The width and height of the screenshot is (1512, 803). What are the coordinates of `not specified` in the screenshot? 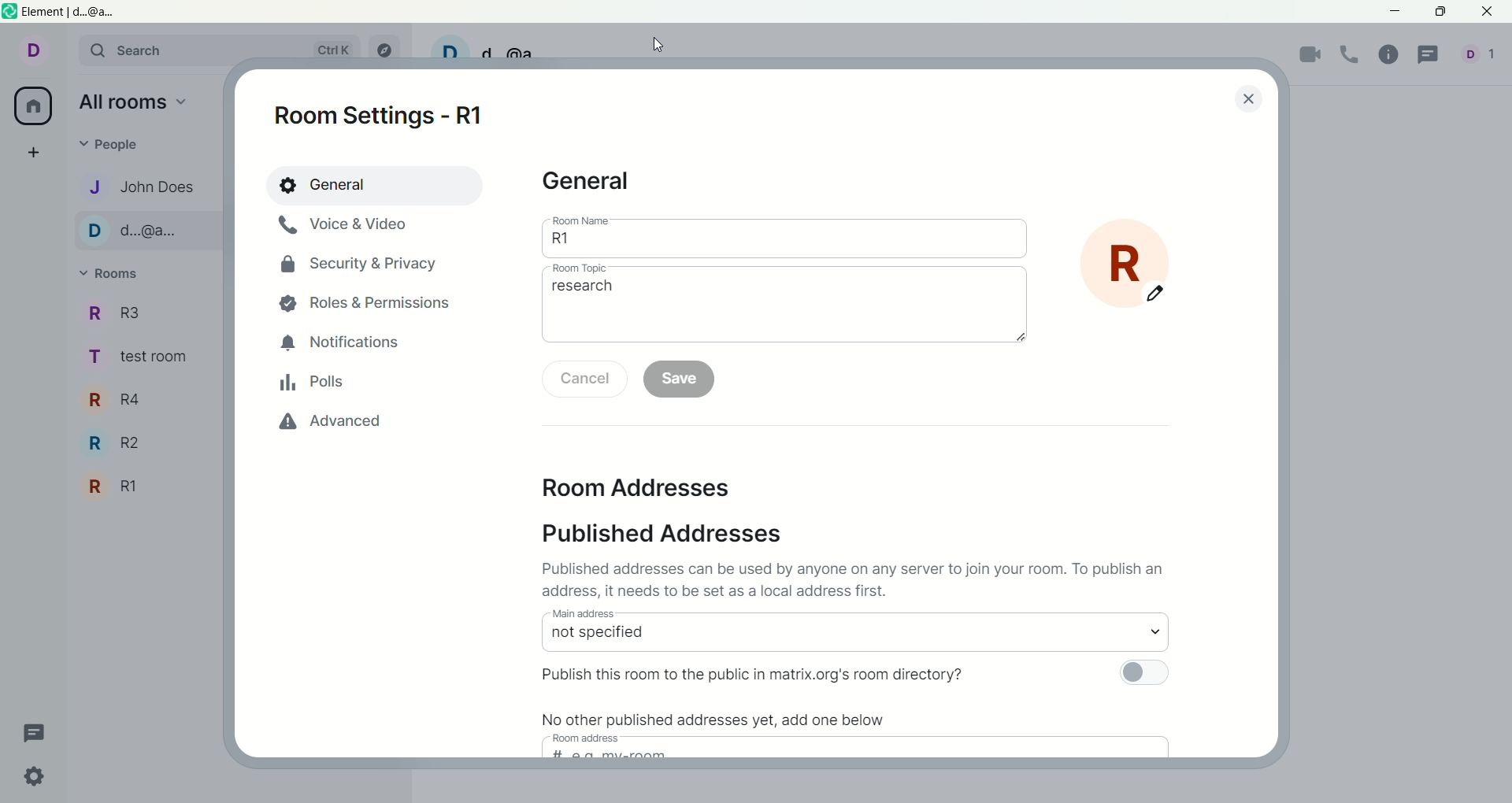 It's located at (854, 638).